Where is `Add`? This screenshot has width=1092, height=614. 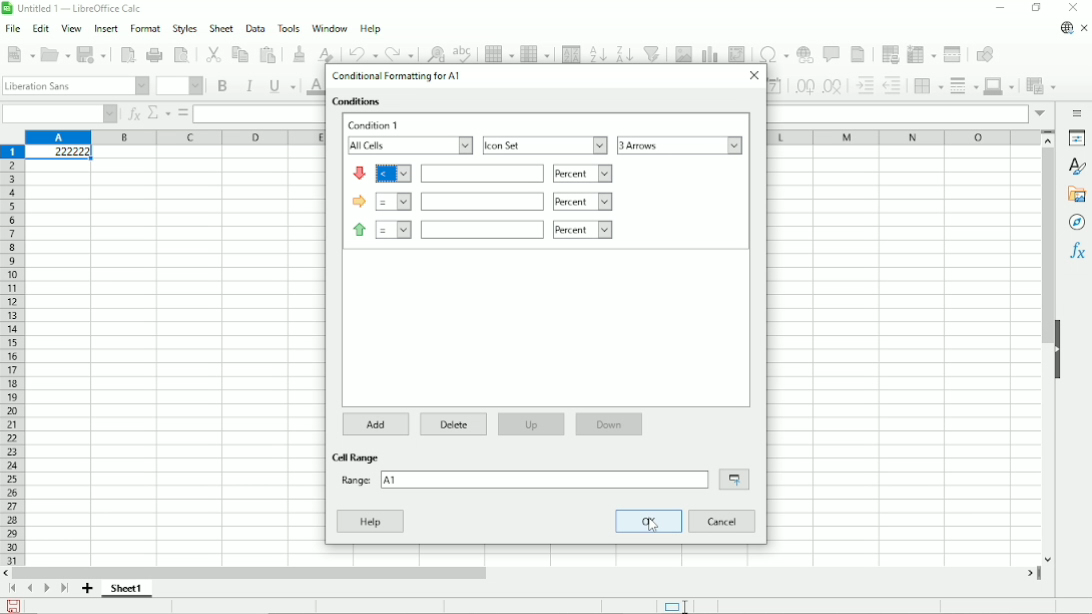
Add is located at coordinates (378, 424).